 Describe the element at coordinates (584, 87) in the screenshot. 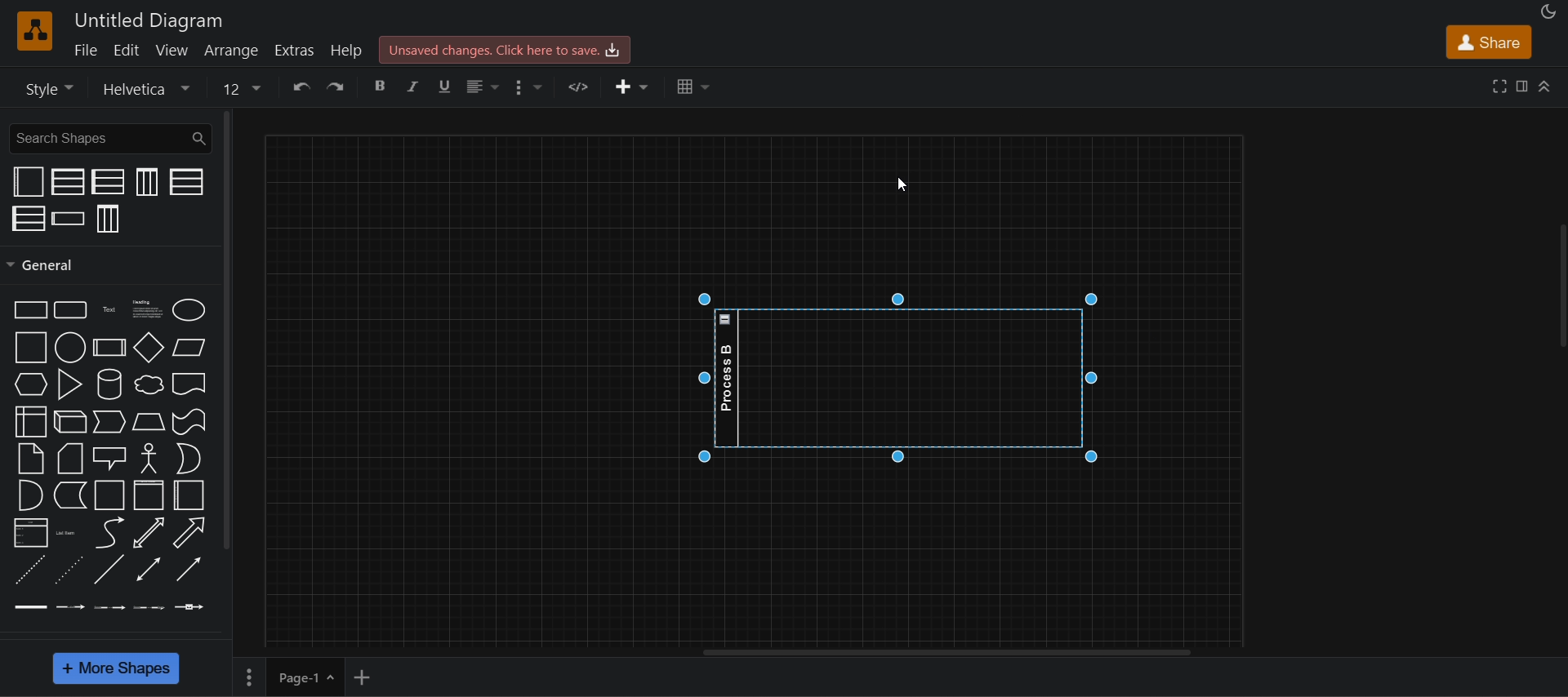

I see `url` at that location.